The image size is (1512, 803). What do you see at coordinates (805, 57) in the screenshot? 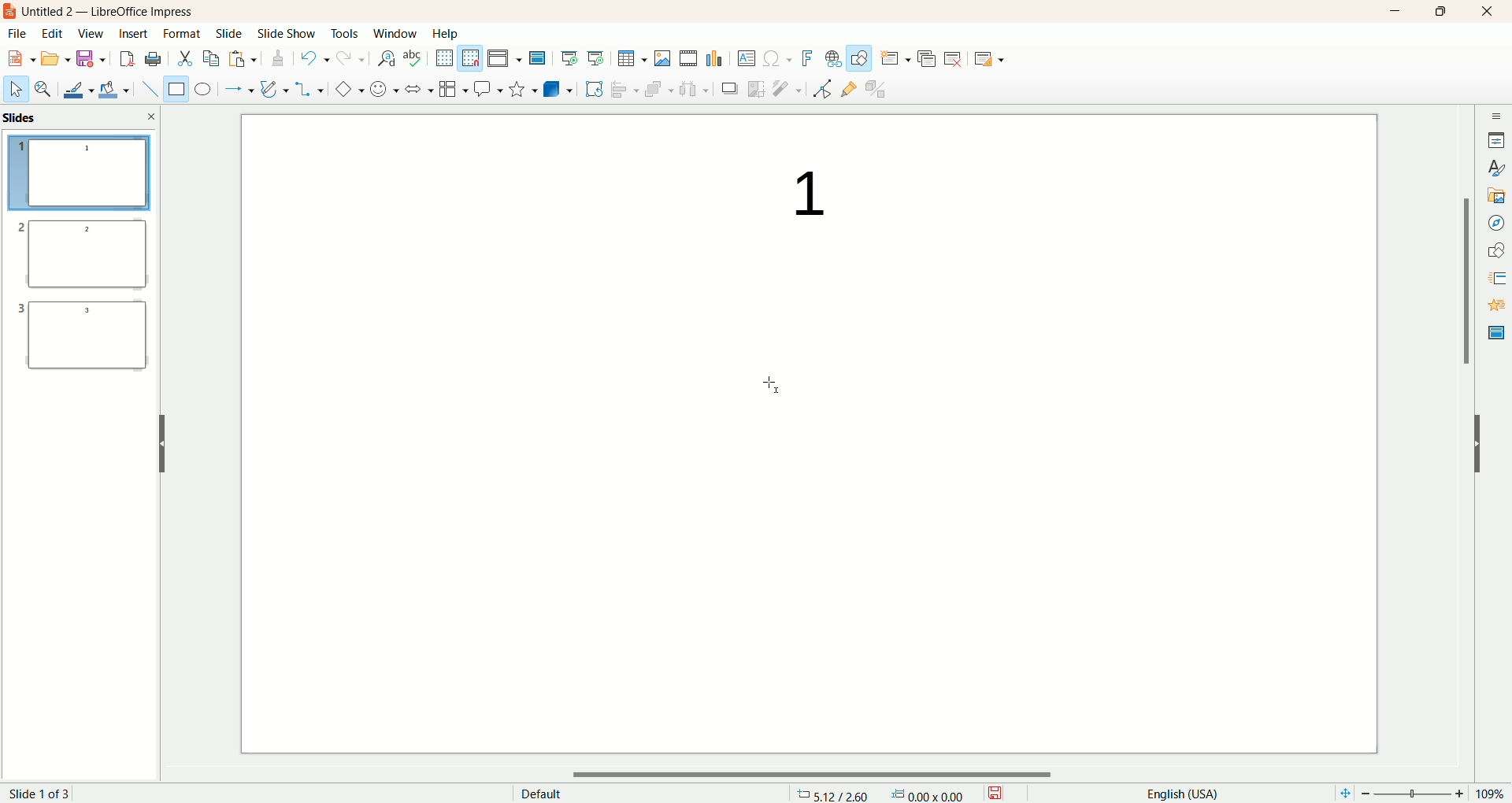
I see `fontwork text` at bounding box center [805, 57].